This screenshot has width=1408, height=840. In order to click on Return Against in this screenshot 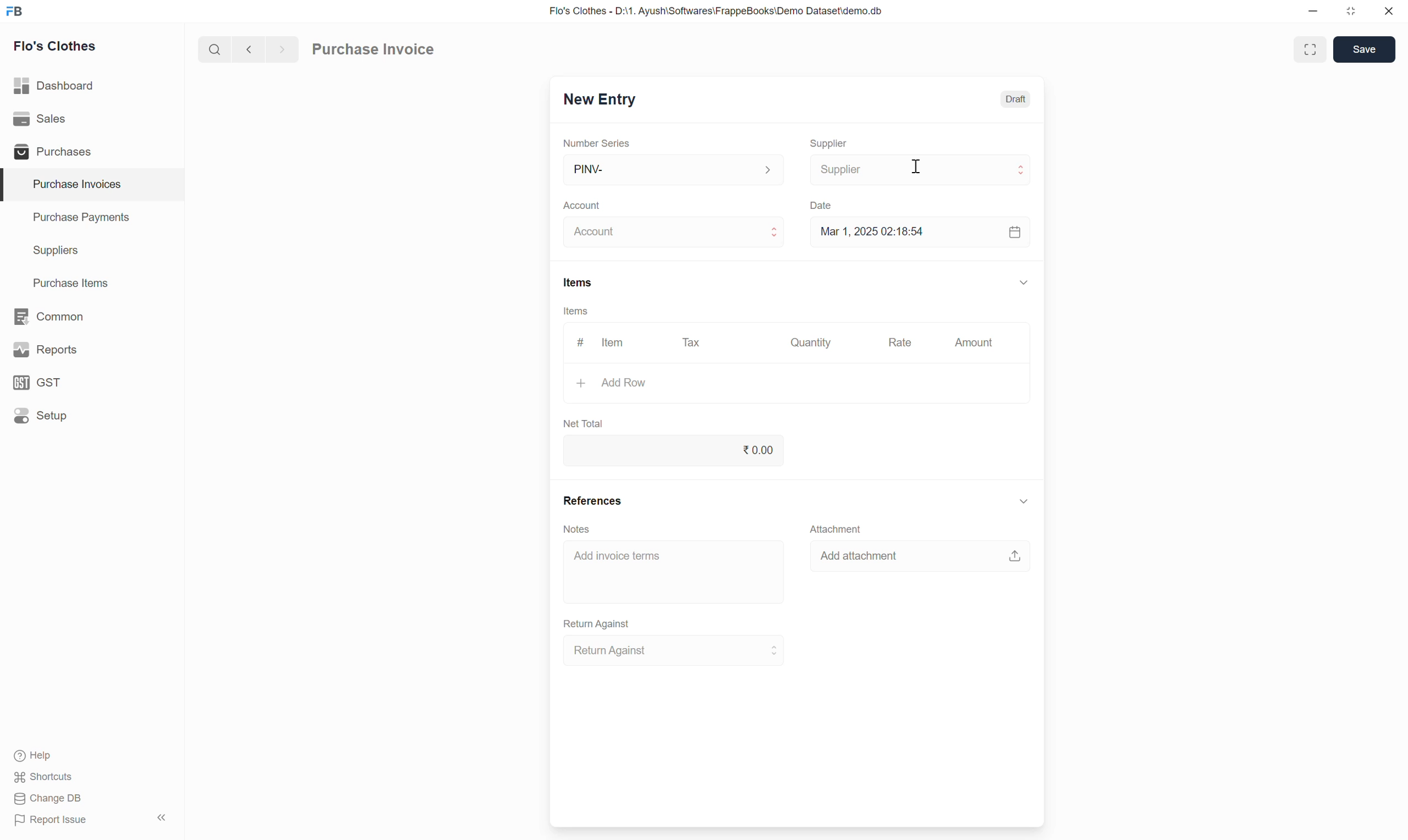, I will do `click(597, 624)`.